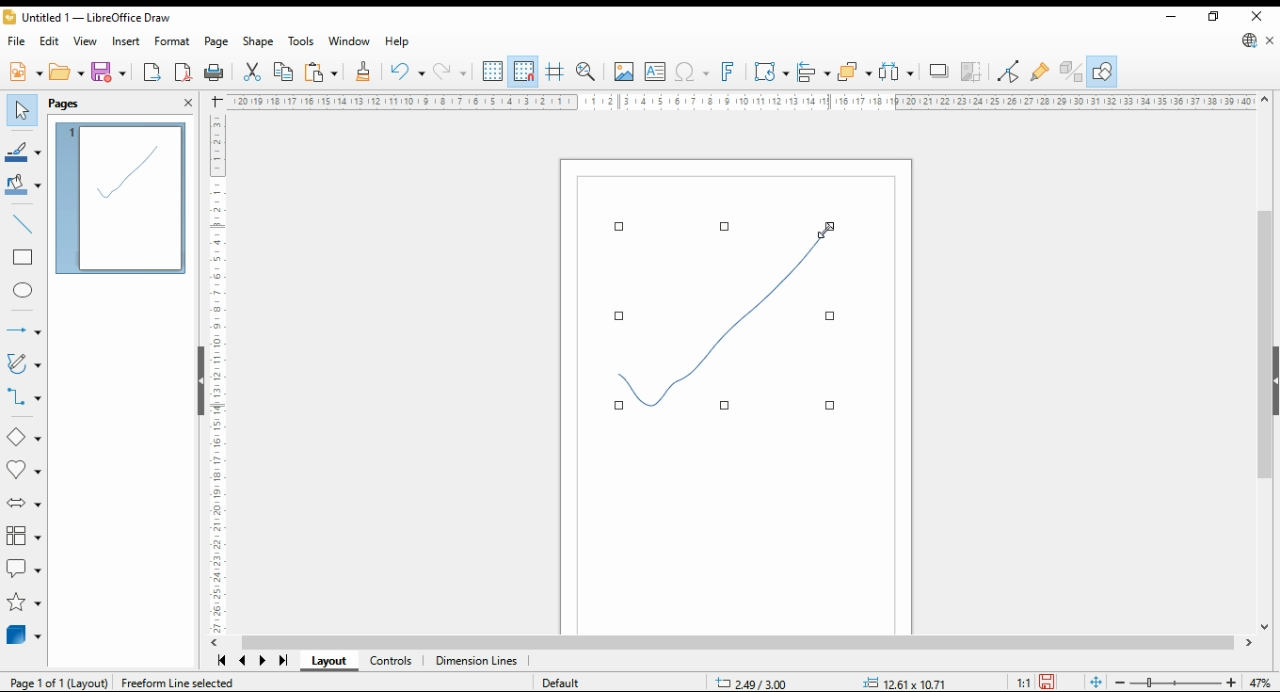 The width and height of the screenshot is (1280, 692). I want to click on show gluepoint function, so click(1041, 72).